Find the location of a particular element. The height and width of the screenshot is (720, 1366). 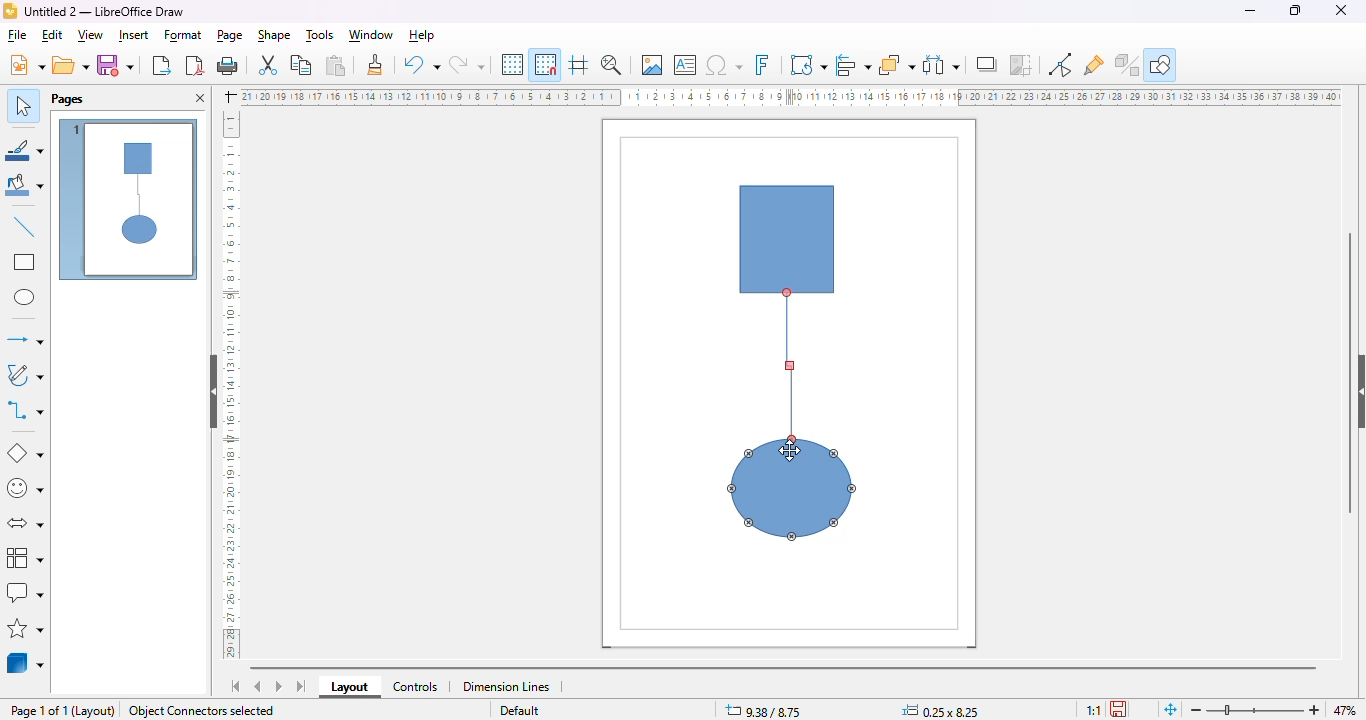

layout is located at coordinates (350, 687).